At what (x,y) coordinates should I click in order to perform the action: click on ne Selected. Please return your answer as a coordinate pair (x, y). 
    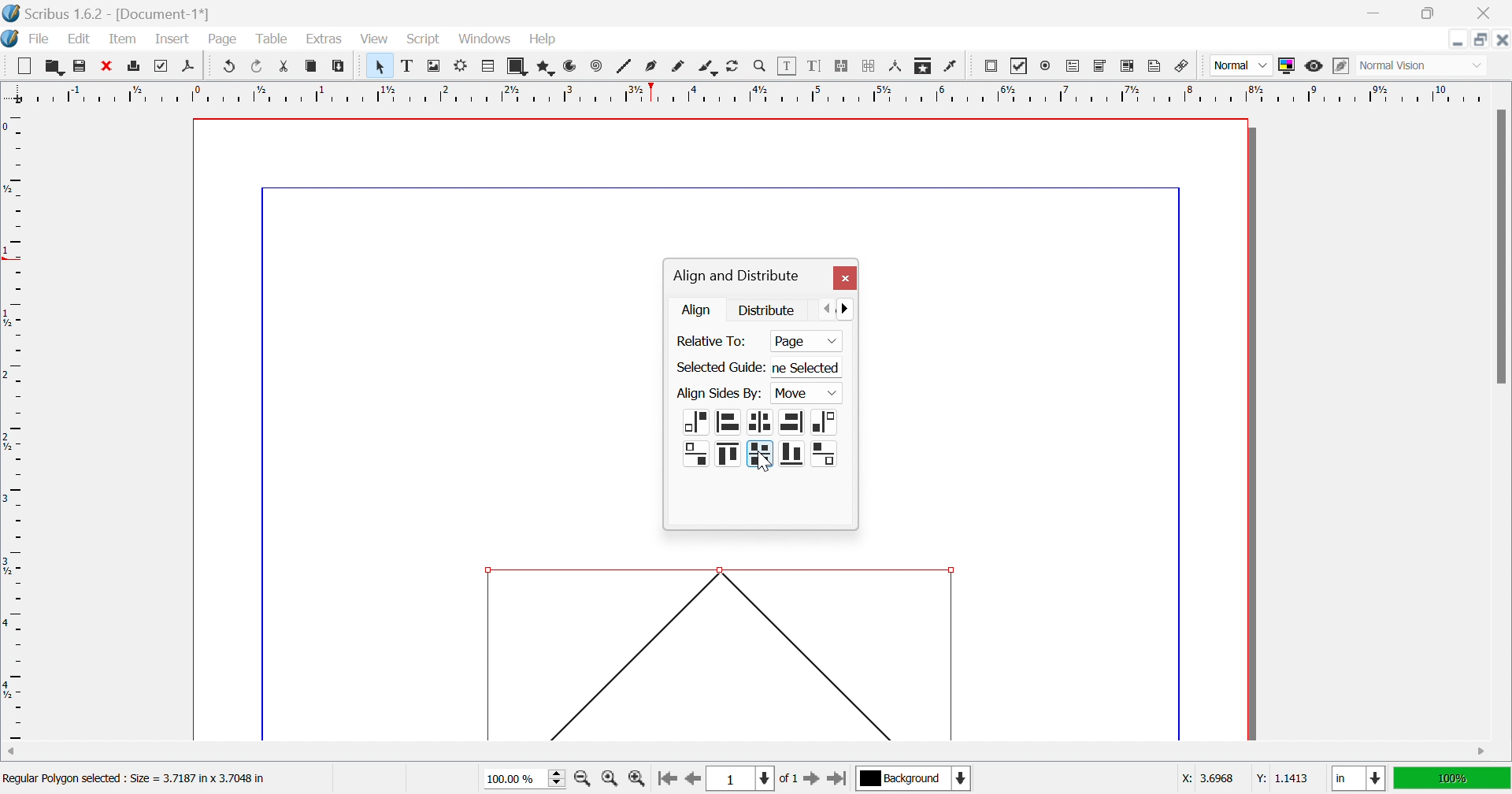
    Looking at the image, I should click on (810, 369).